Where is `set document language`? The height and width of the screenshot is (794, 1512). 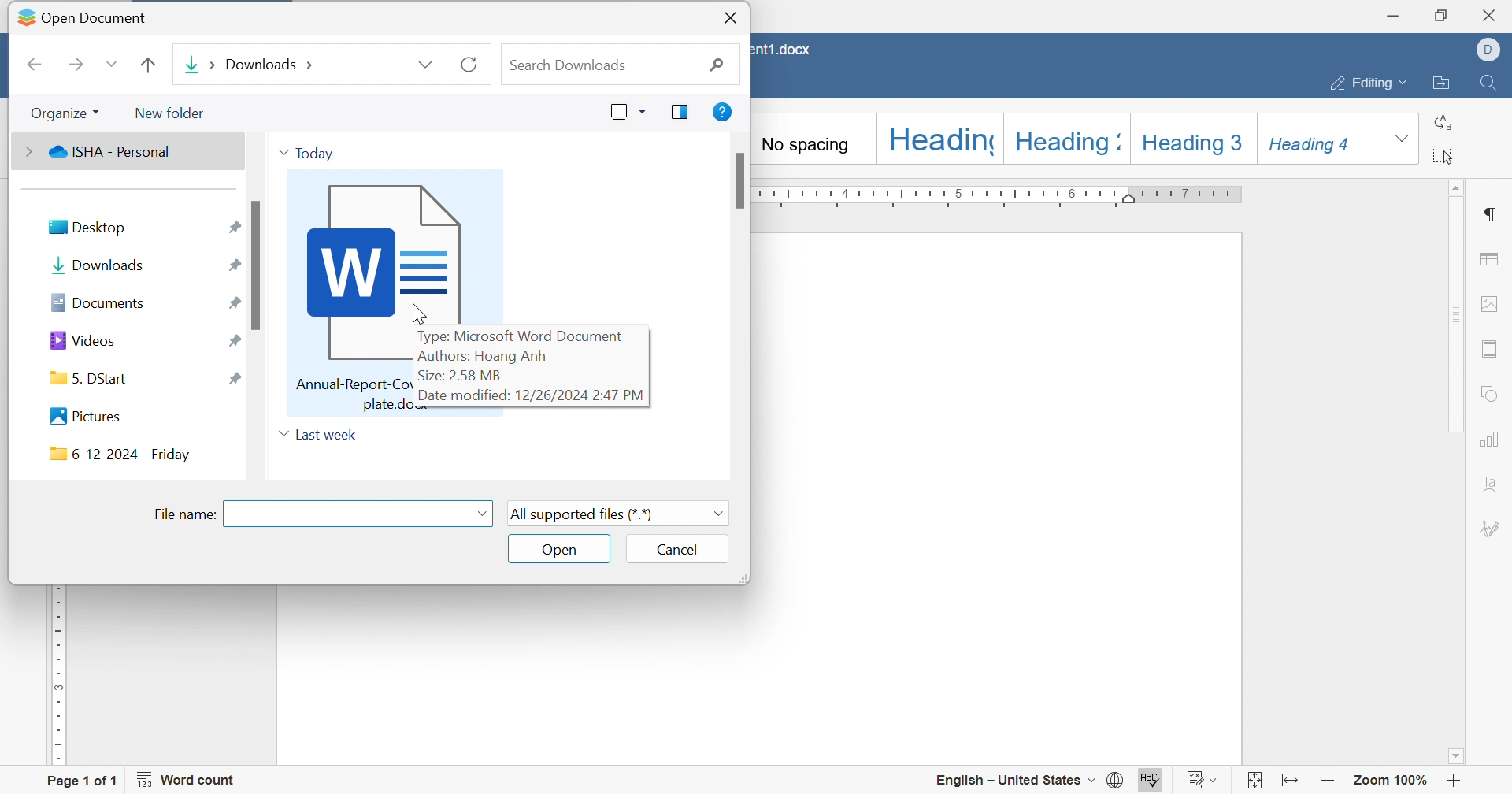 set document language is located at coordinates (1117, 781).